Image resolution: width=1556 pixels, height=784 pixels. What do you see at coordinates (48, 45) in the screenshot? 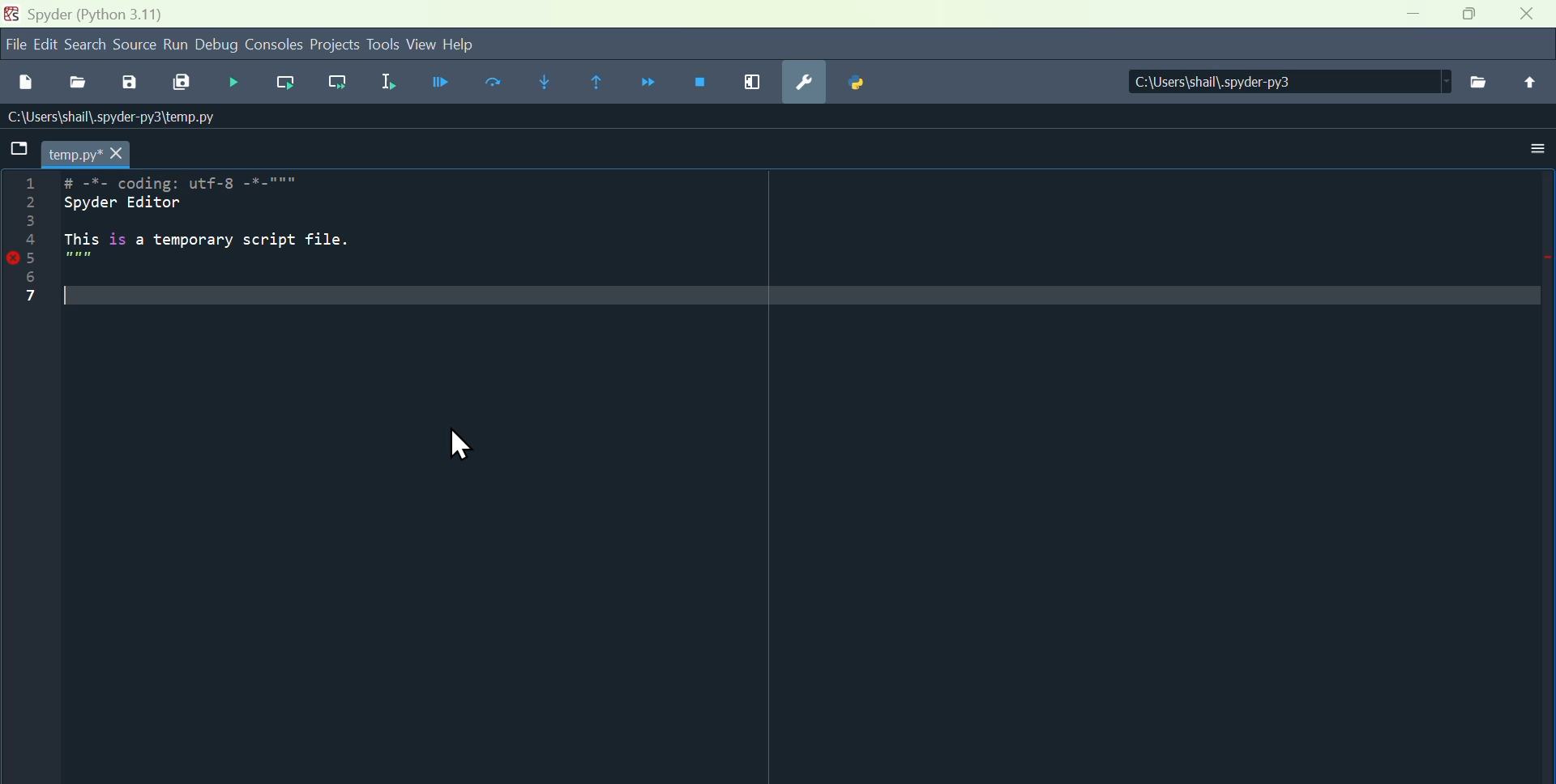
I see `Edit` at bounding box center [48, 45].